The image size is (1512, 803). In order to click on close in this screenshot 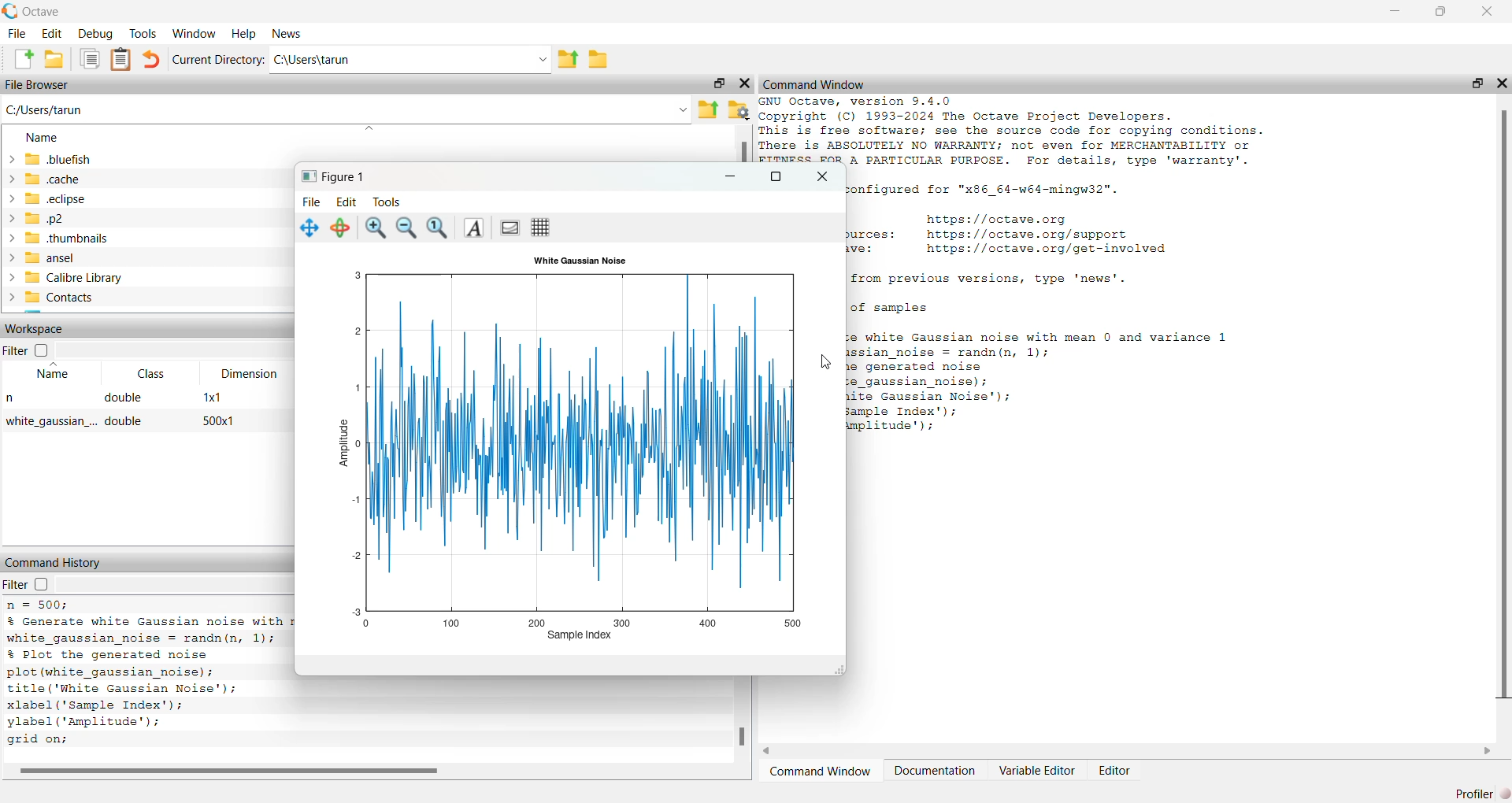, I will do `click(747, 83)`.